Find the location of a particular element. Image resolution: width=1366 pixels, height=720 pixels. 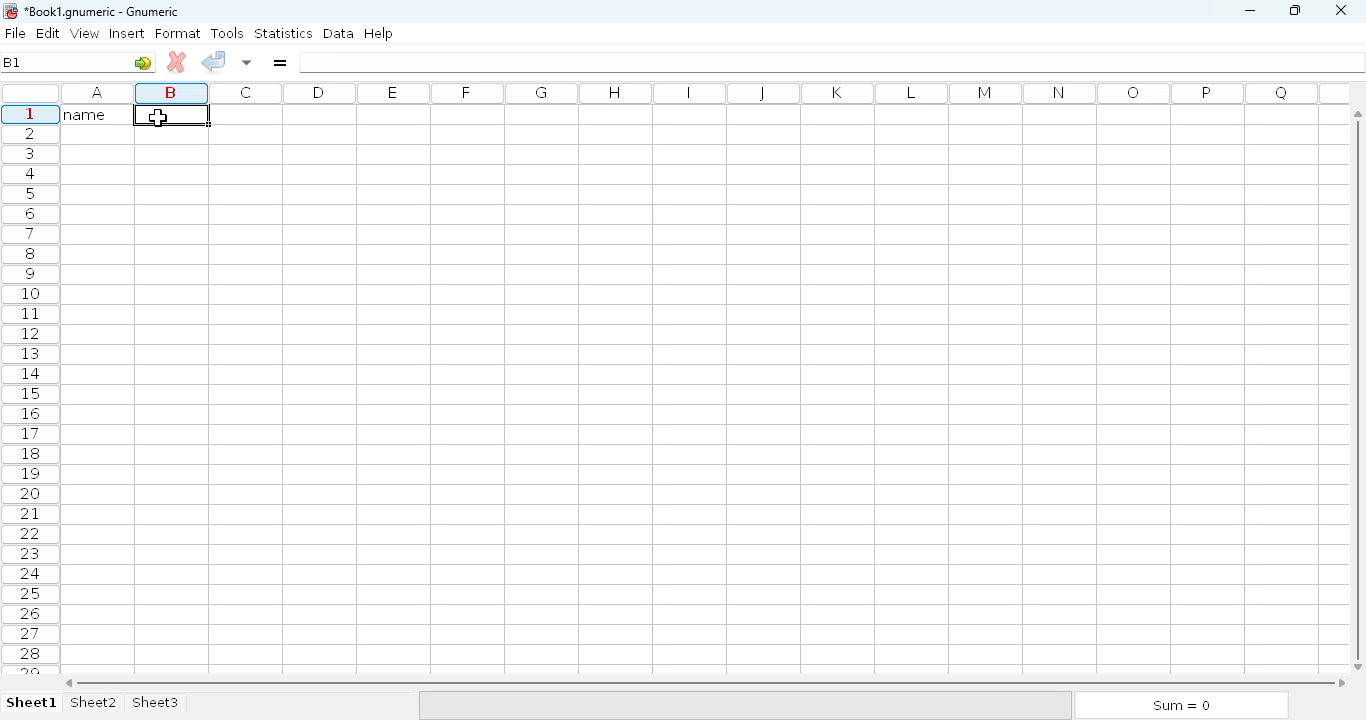

minimize is located at coordinates (1249, 11).